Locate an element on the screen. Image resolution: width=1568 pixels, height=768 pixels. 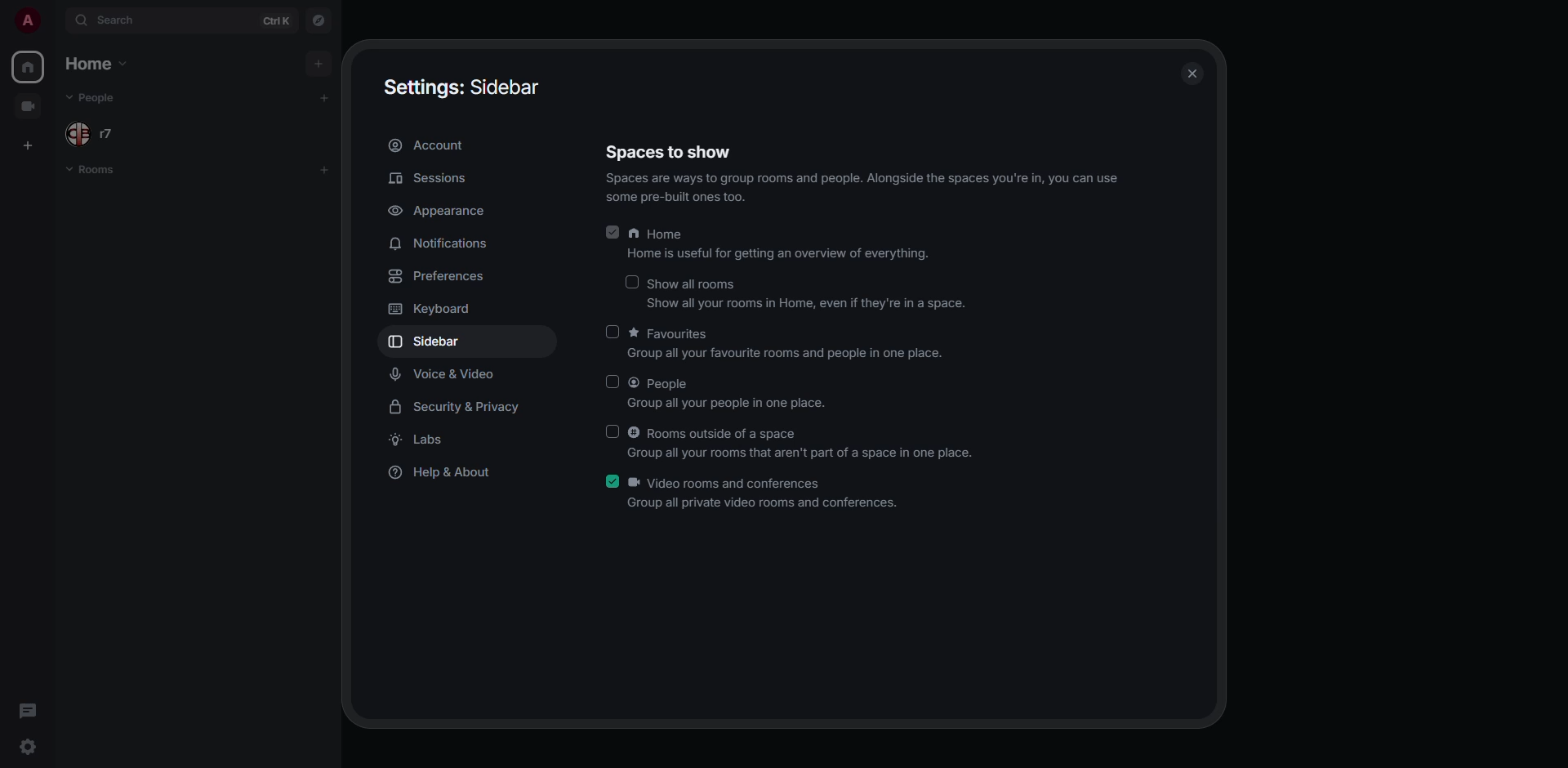
profile is located at coordinates (28, 20).